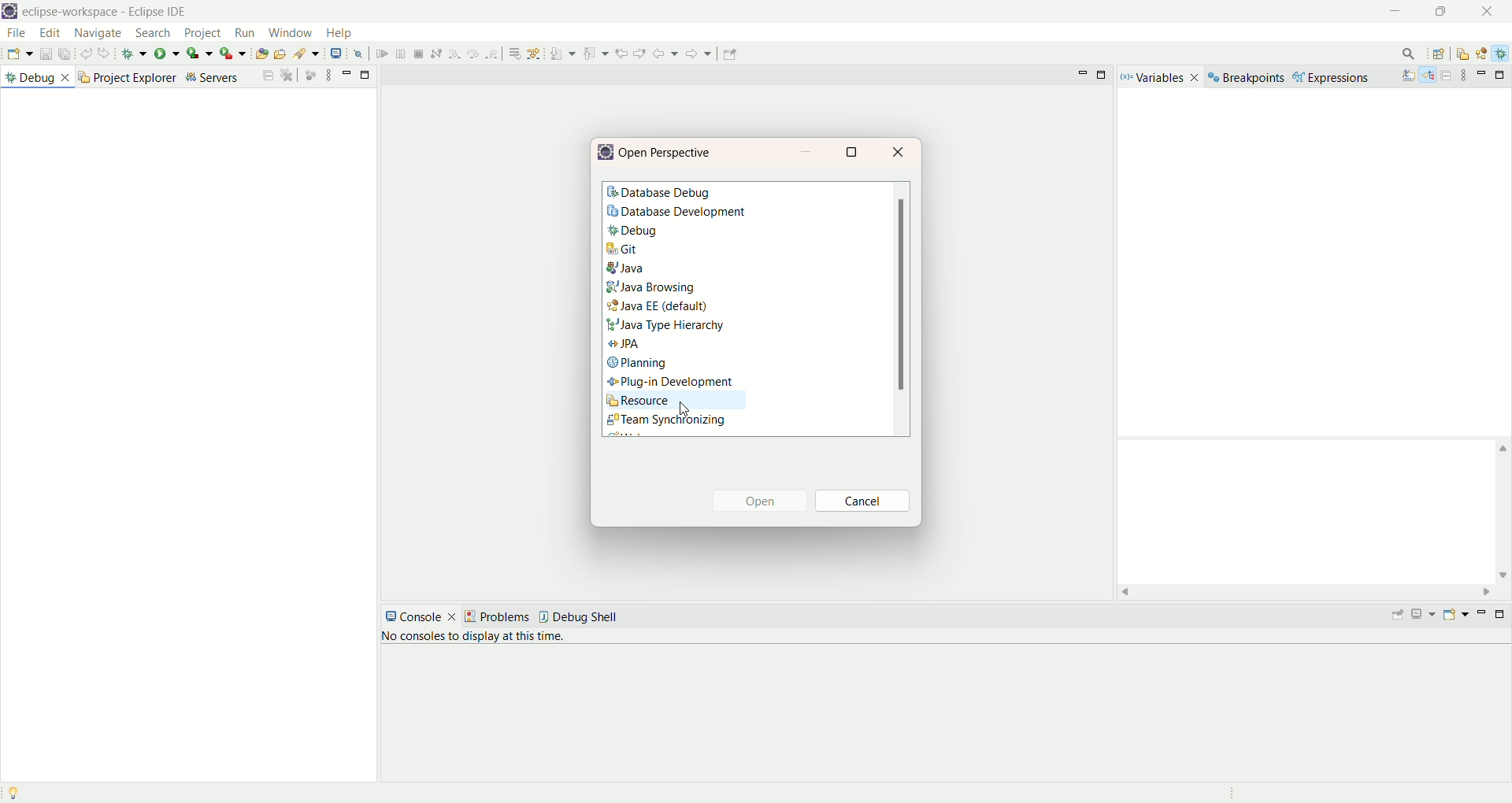 The height and width of the screenshot is (803, 1512). I want to click on close, so click(1487, 11).